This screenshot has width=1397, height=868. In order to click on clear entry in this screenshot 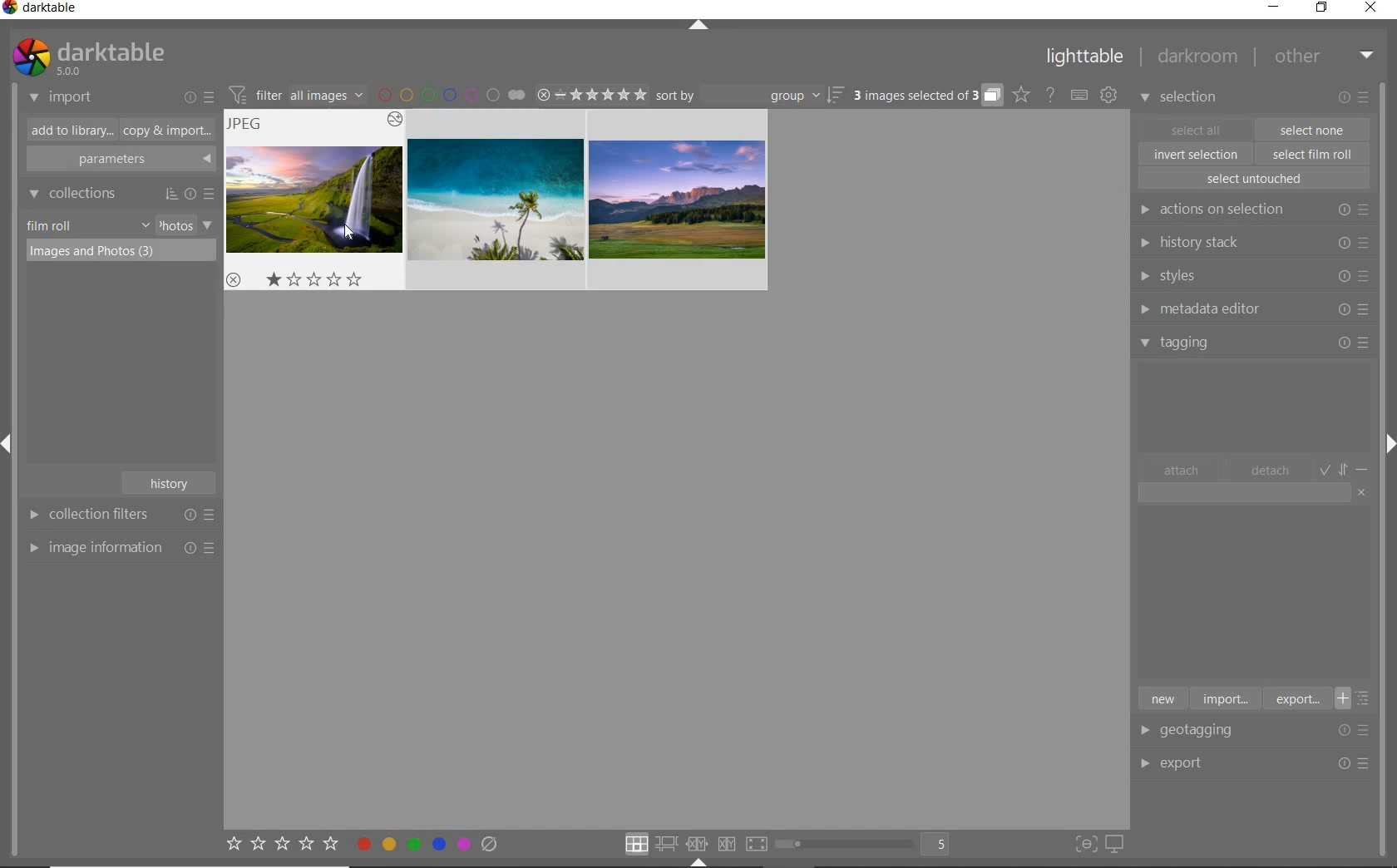, I will do `click(1362, 491)`.